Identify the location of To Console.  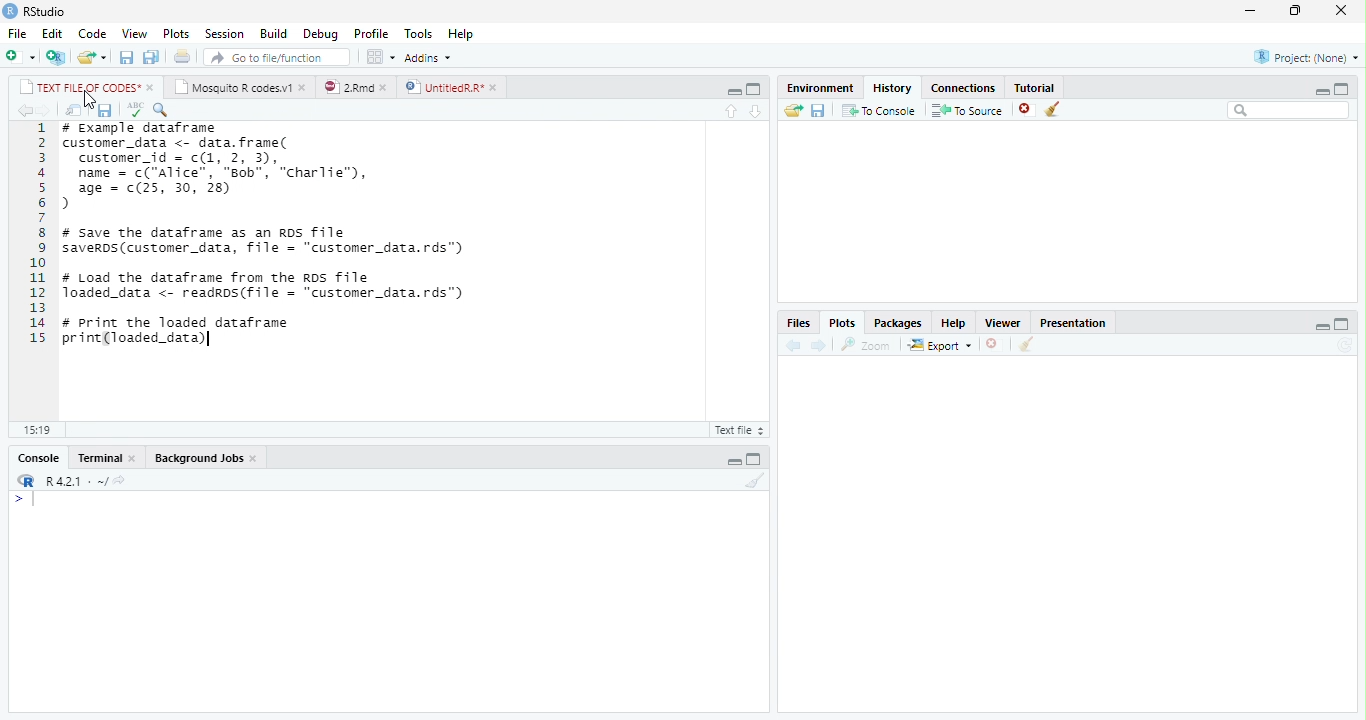
(878, 110).